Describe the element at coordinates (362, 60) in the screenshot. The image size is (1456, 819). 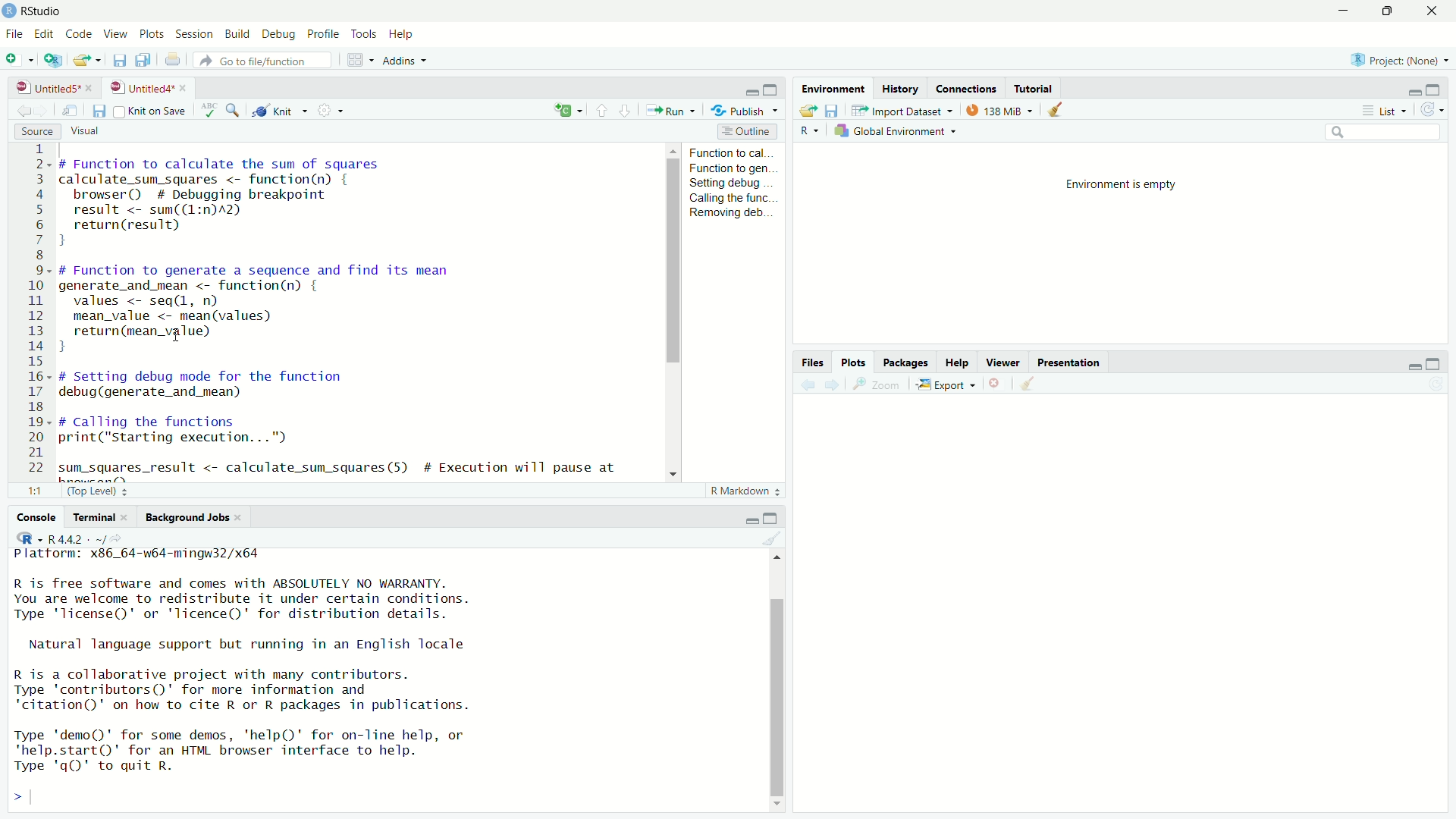
I see `workspace panes` at that location.